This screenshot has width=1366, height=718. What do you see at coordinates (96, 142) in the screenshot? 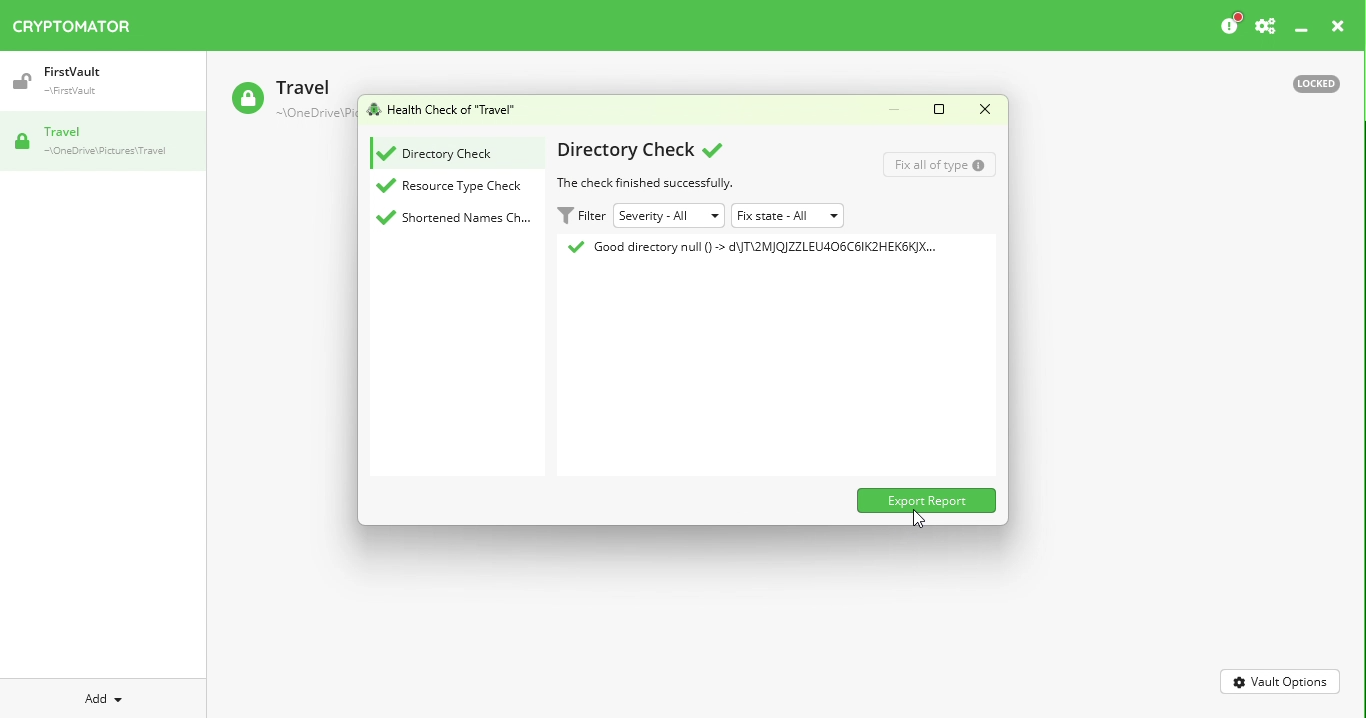
I see `Vault` at bounding box center [96, 142].